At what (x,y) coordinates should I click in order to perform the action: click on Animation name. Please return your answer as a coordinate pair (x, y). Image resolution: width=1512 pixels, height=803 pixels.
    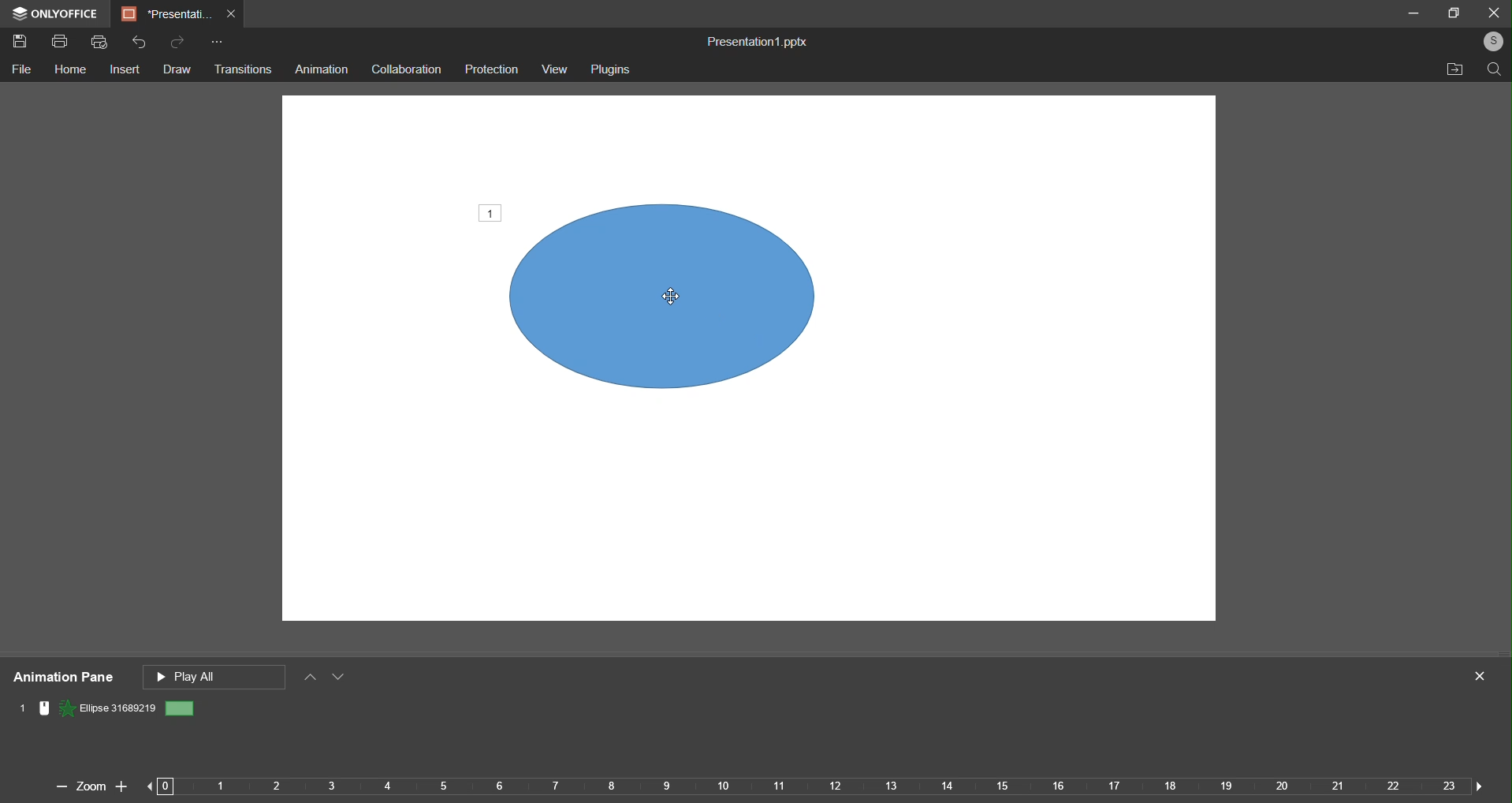
    Looking at the image, I should click on (106, 709).